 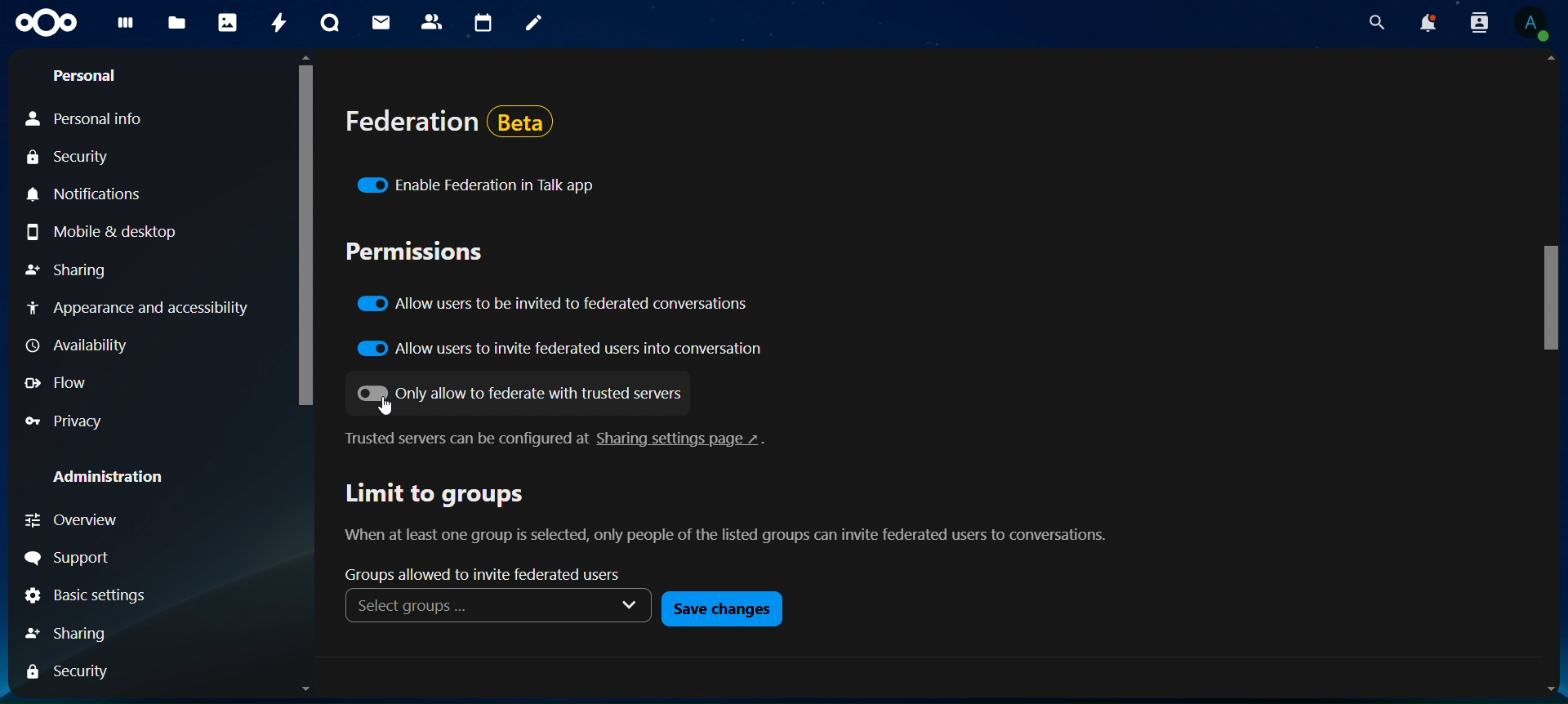 What do you see at coordinates (332, 23) in the screenshot?
I see `talk` at bounding box center [332, 23].